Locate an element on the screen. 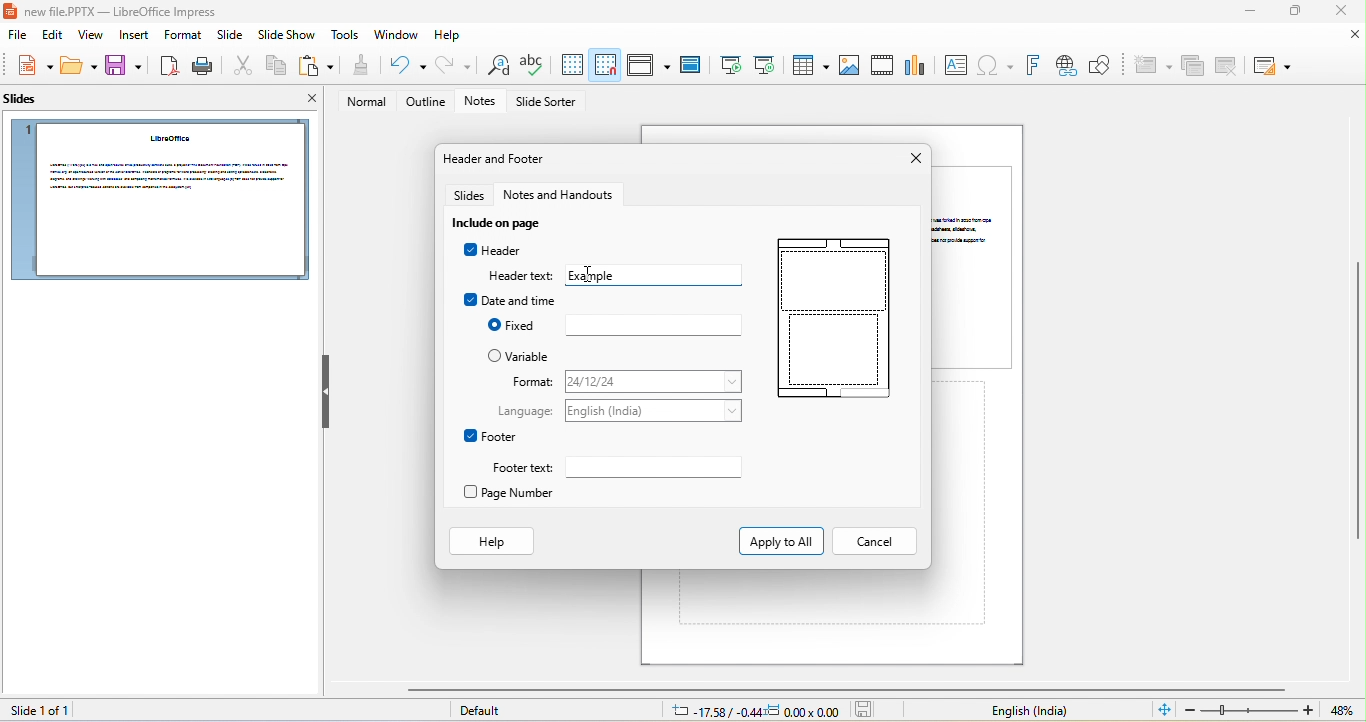  outline is located at coordinates (426, 102).